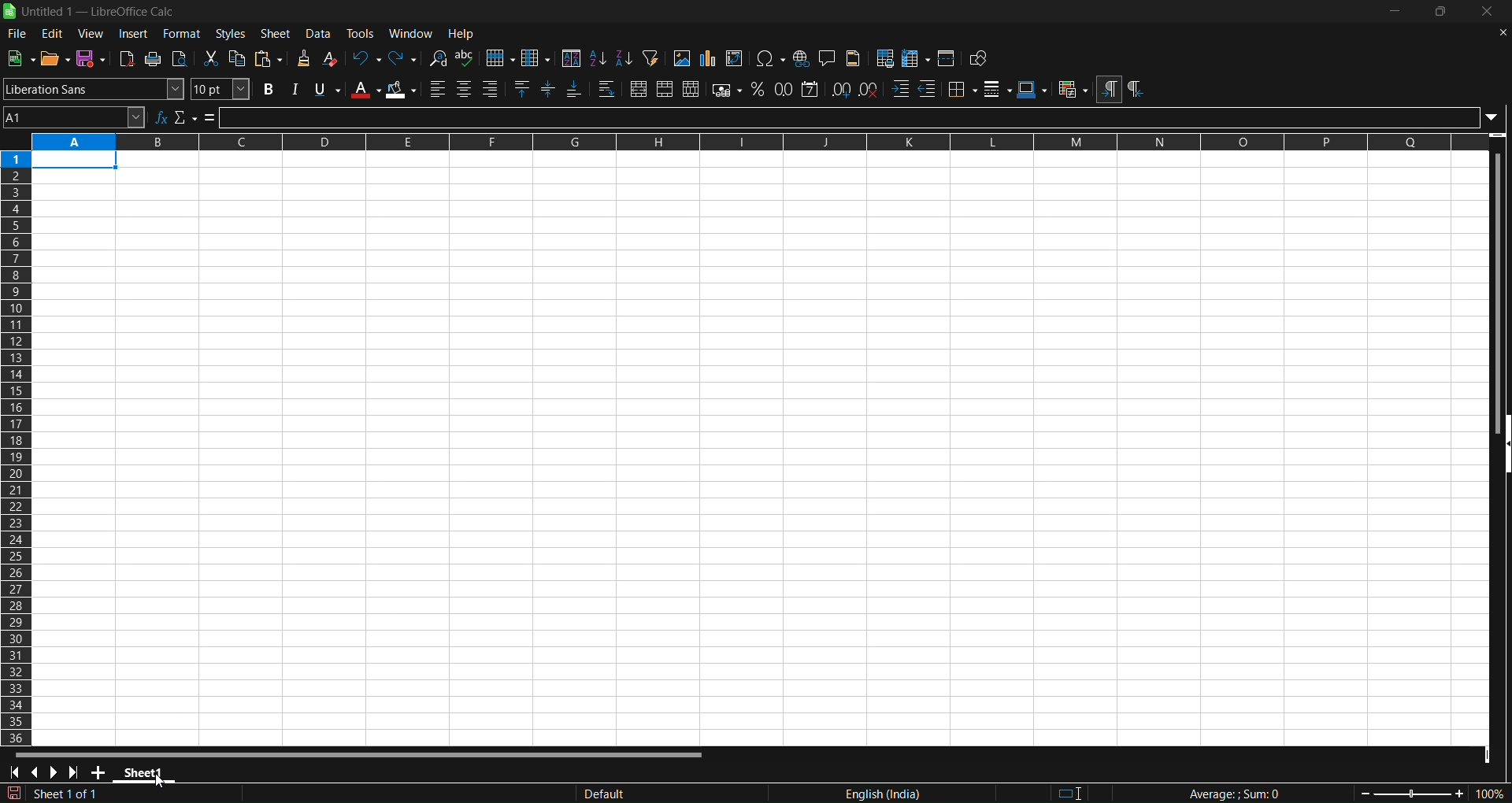  Describe the element at coordinates (239, 58) in the screenshot. I see `copy ` at that location.